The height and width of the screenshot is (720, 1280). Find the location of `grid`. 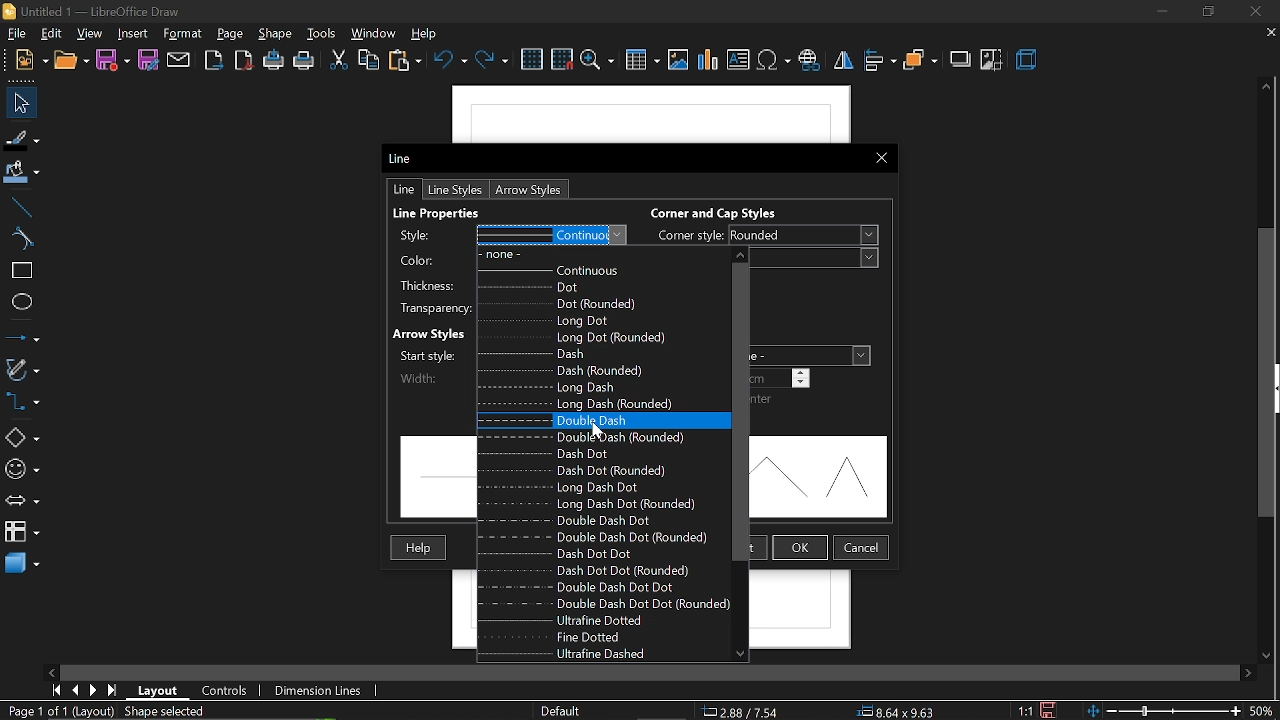

grid is located at coordinates (534, 59).